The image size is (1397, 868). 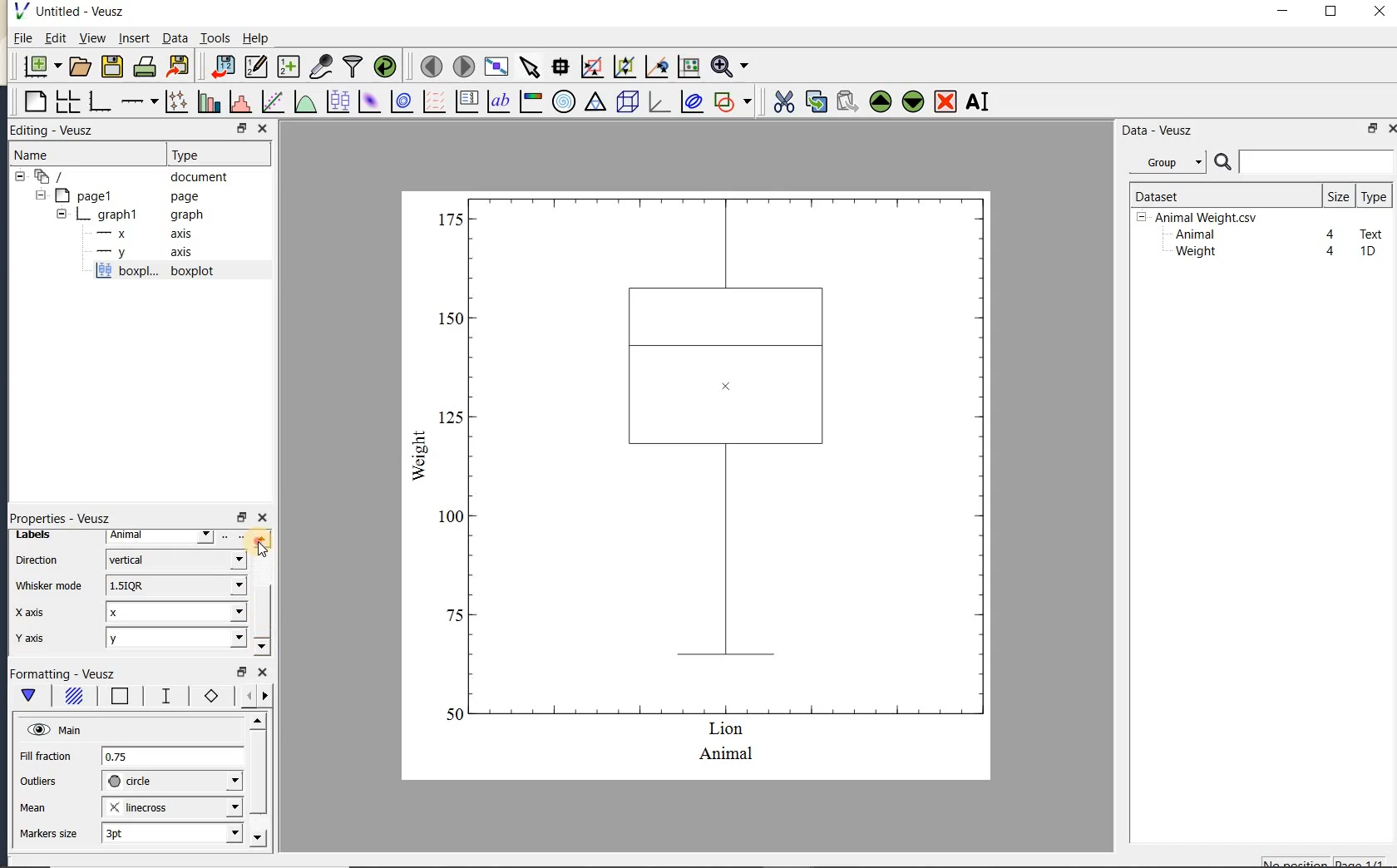 I want to click on edit and enter new datasets, so click(x=255, y=67).